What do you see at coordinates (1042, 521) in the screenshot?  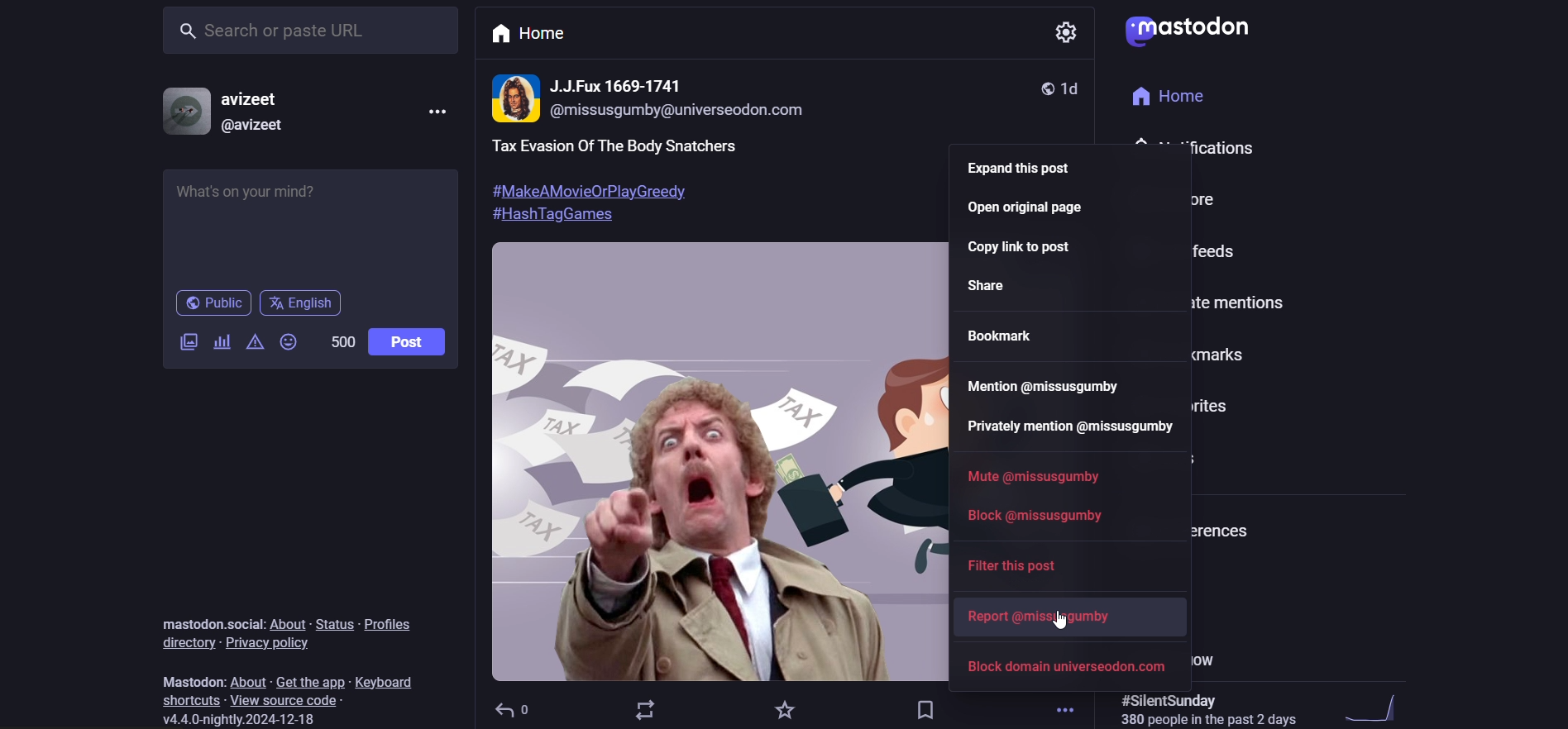 I see `block` at bounding box center [1042, 521].